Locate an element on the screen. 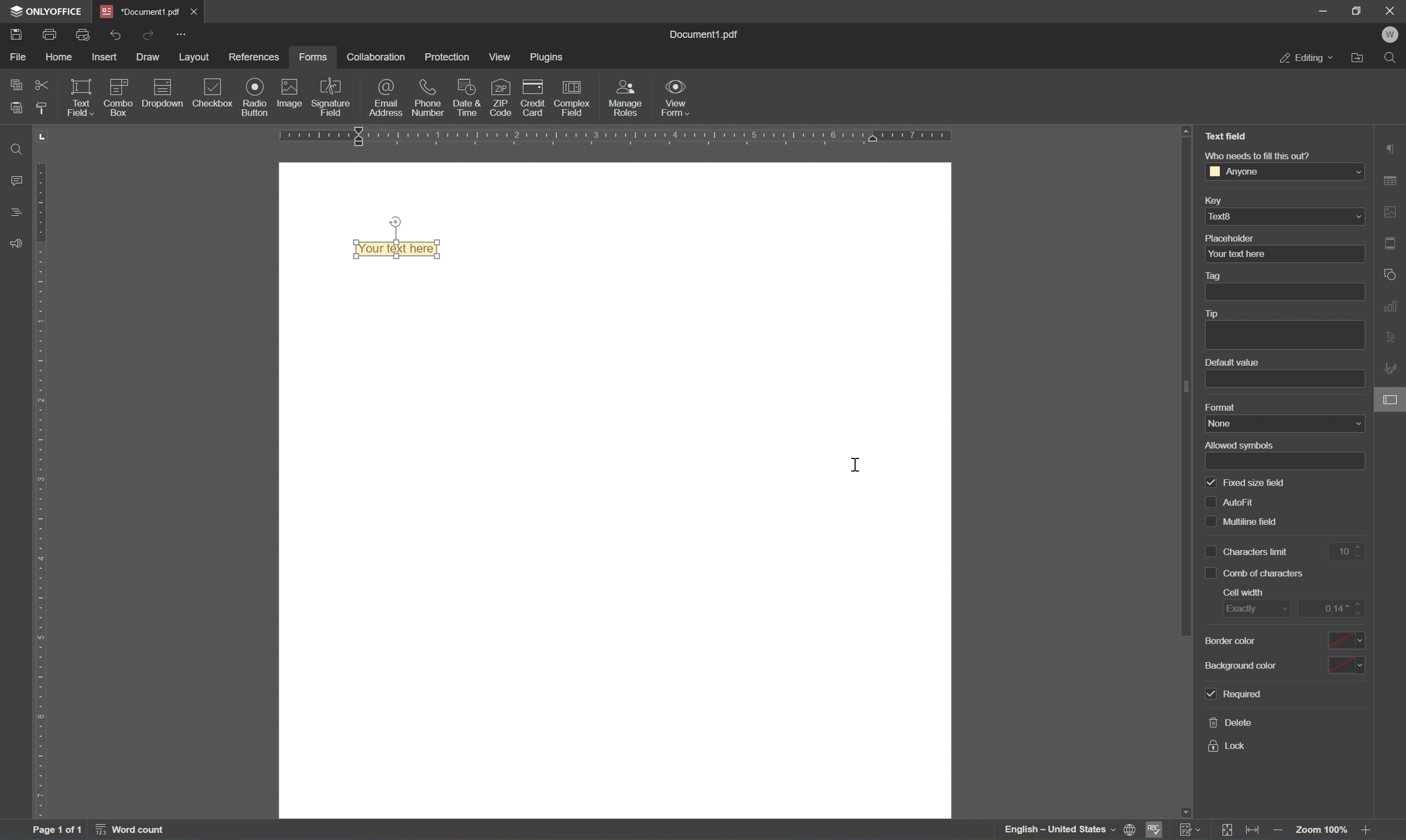 Image resolution: width=1406 pixels, height=840 pixels. restore down is located at coordinates (1355, 11).